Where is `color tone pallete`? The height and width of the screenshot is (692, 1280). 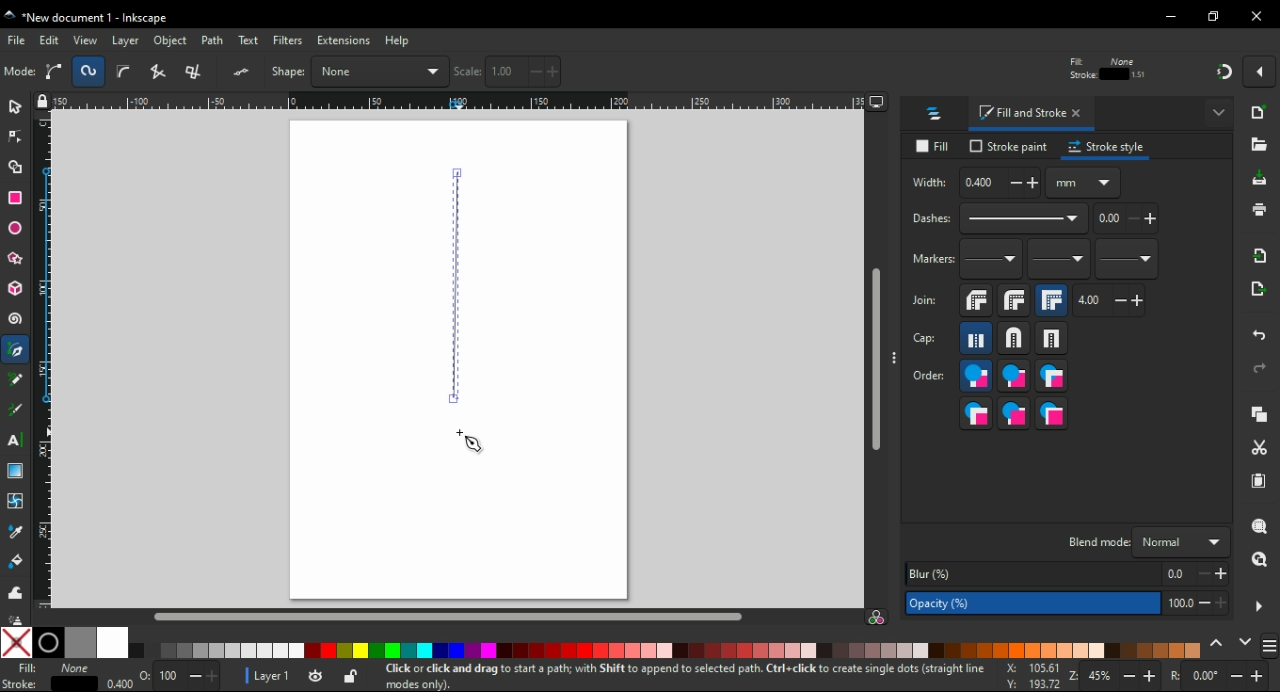 color tone pallete is located at coordinates (1166, 649).